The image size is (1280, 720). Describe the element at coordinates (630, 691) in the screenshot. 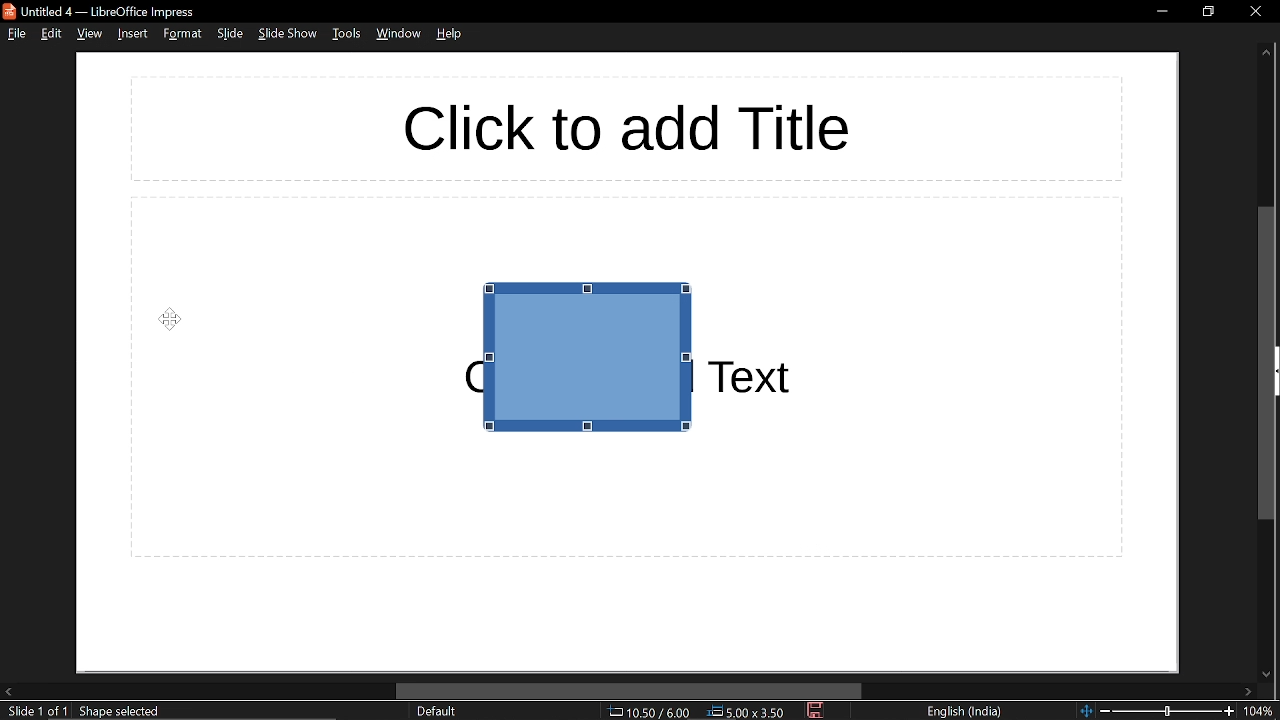

I see `horizontal scrollbar` at that location.